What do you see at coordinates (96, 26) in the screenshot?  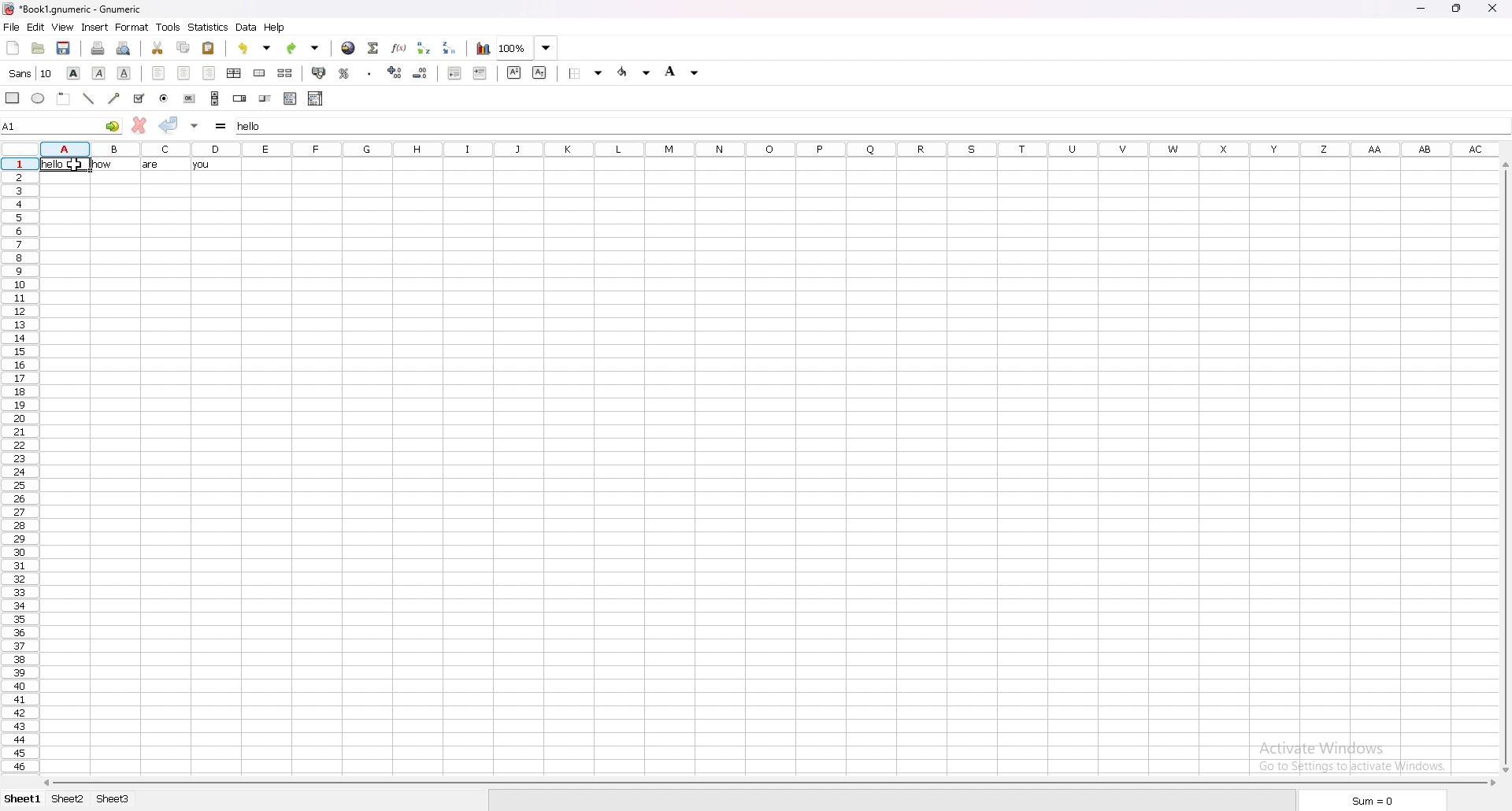 I see `insert` at bounding box center [96, 26].